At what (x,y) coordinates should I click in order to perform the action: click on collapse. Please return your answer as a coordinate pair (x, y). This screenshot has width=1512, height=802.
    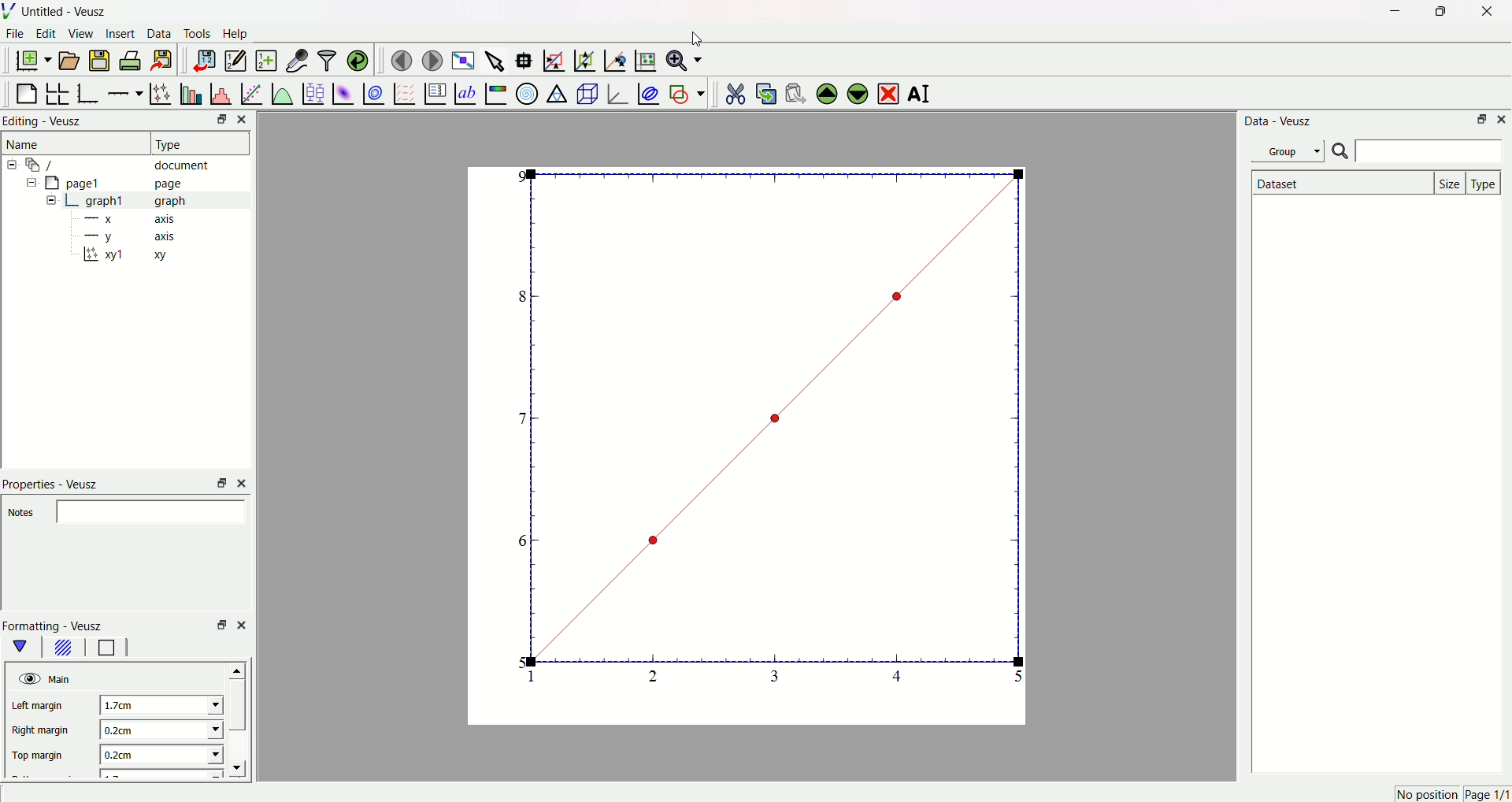
    Looking at the image, I should click on (28, 184).